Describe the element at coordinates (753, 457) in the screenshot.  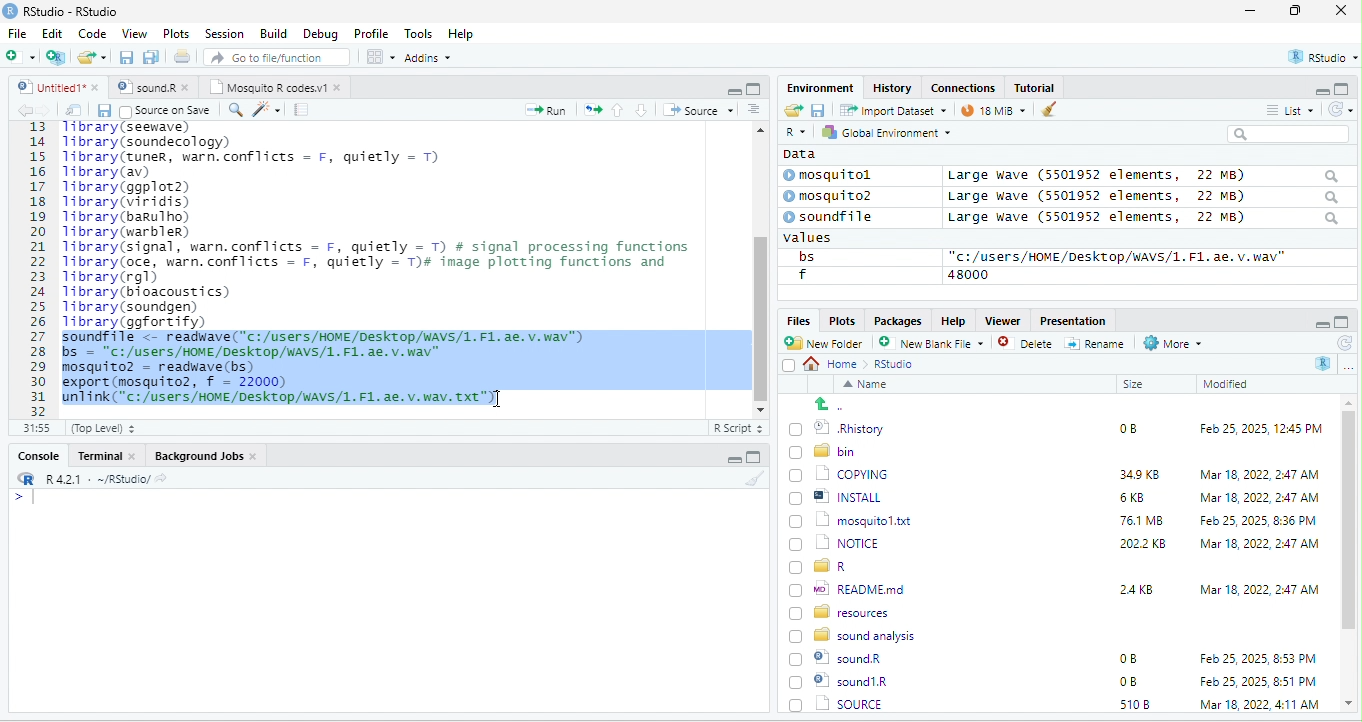
I see `maximize` at that location.